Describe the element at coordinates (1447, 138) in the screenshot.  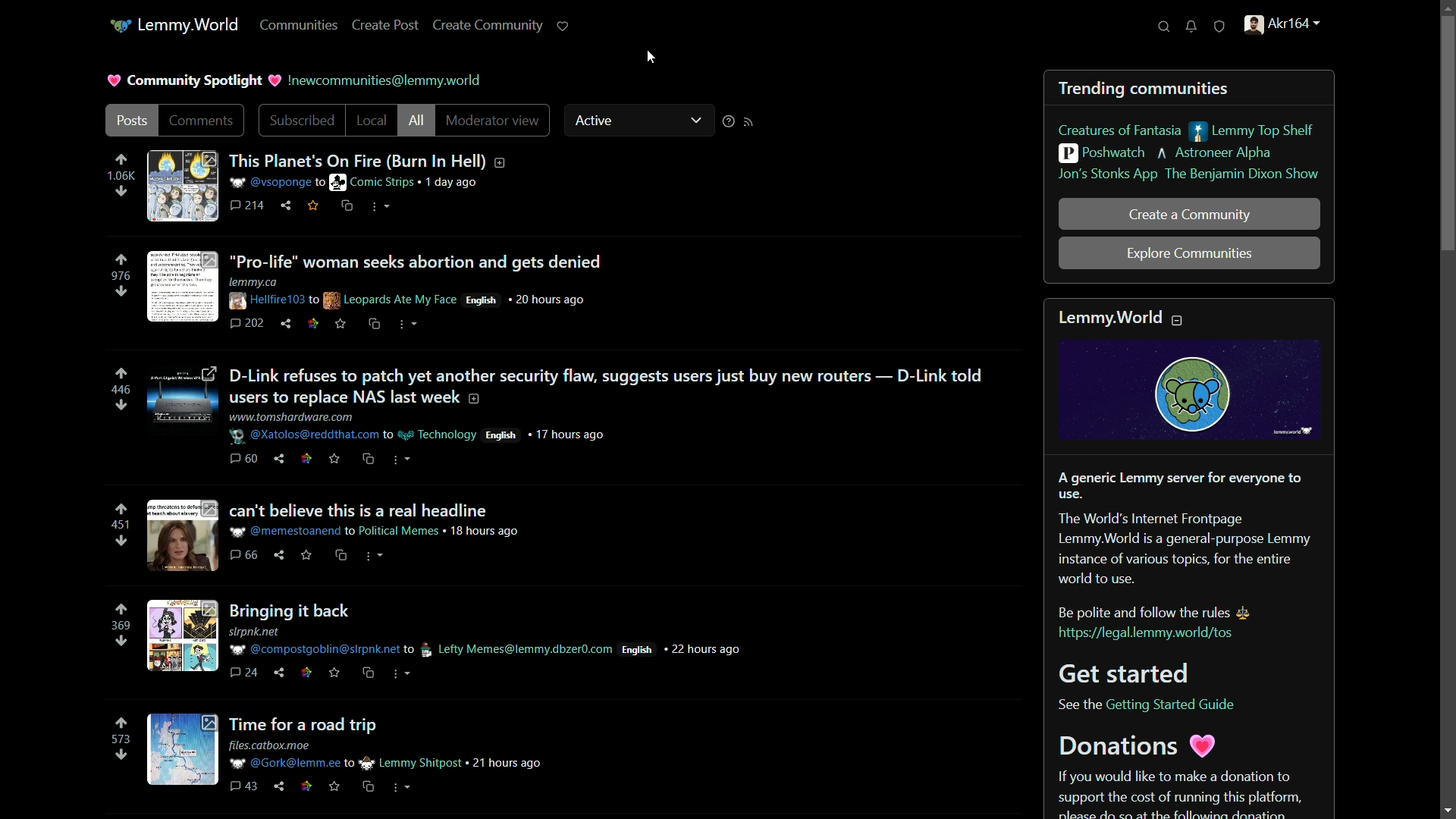
I see `scroll bar` at that location.